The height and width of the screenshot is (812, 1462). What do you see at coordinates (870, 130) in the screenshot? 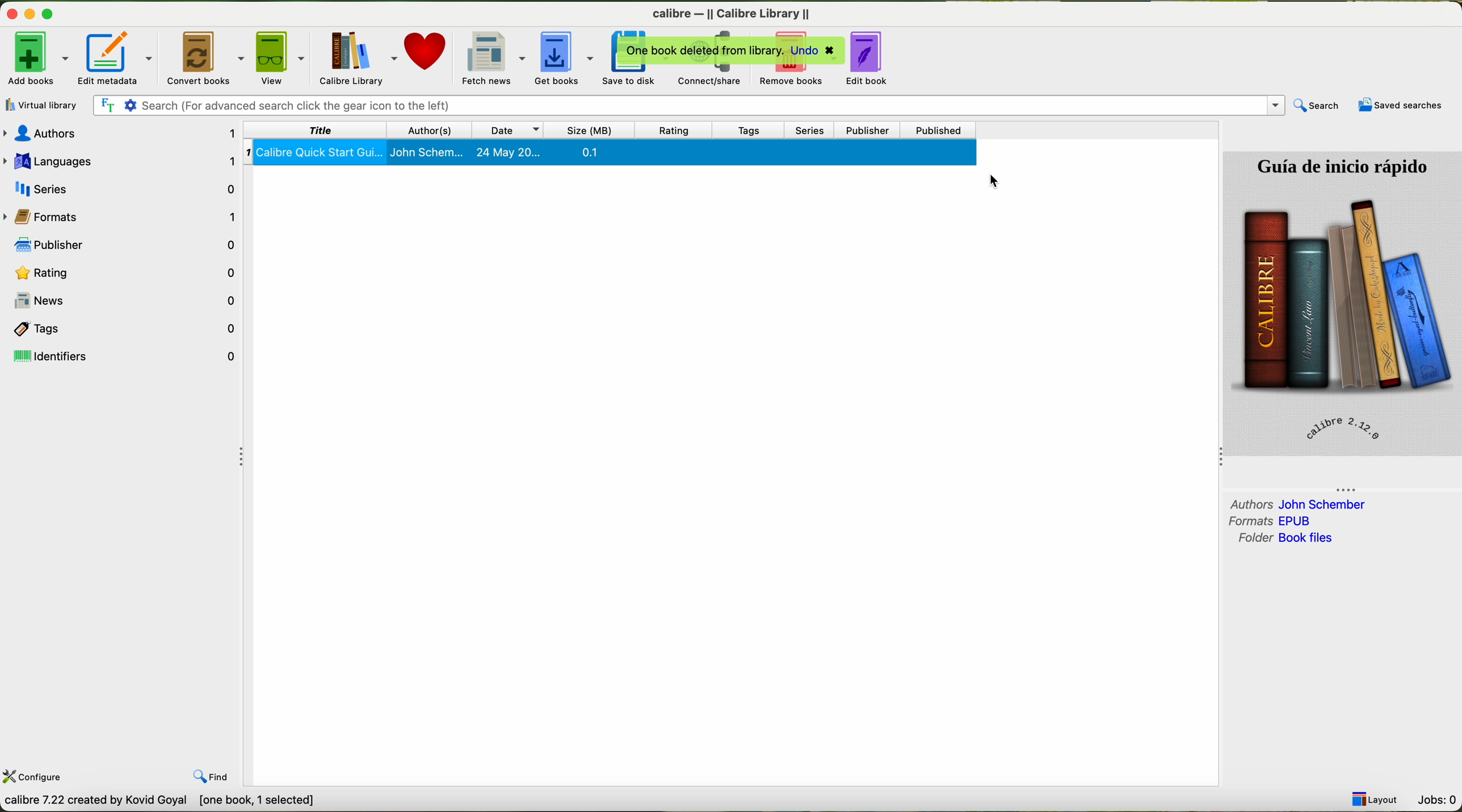
I see `publisher` at bounding box center [870, 130].